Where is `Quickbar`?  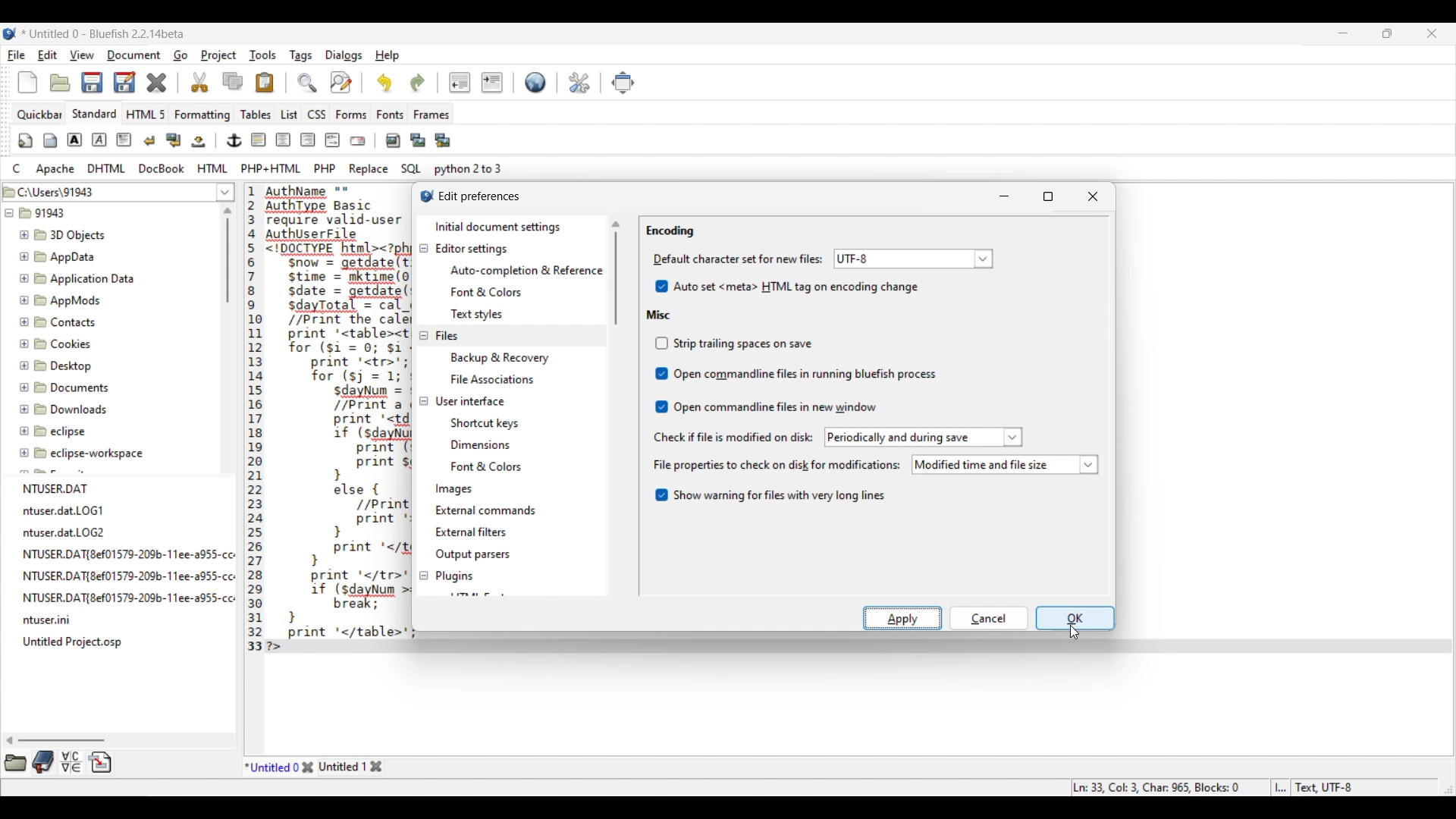
Quickbar is located at coordinates (39, 115).